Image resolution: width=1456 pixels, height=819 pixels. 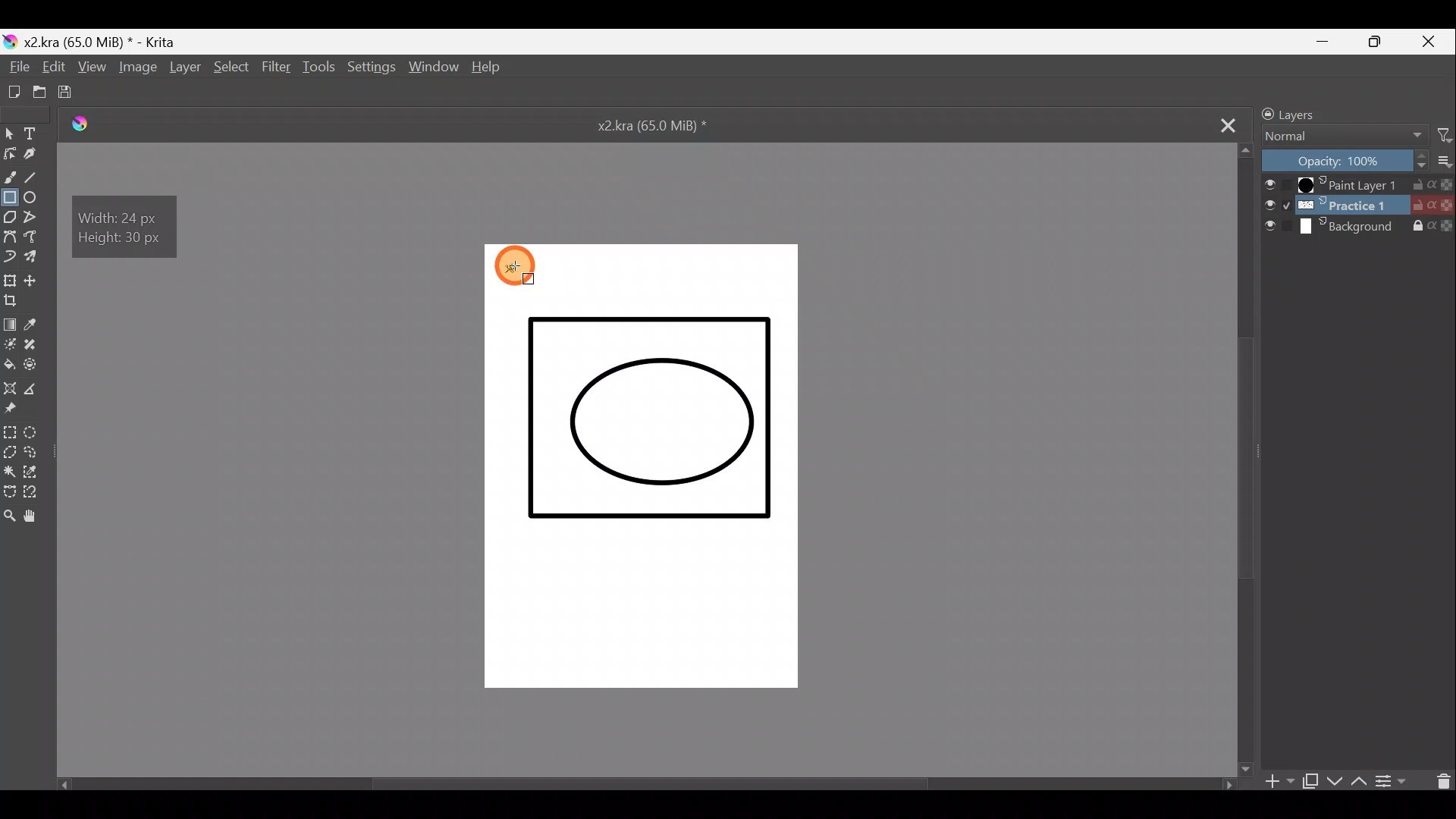 What do you see at coordinates (1335, 783) in the screenshot?
I see `Move layer/mask down` at bounding box center [1335, 783].